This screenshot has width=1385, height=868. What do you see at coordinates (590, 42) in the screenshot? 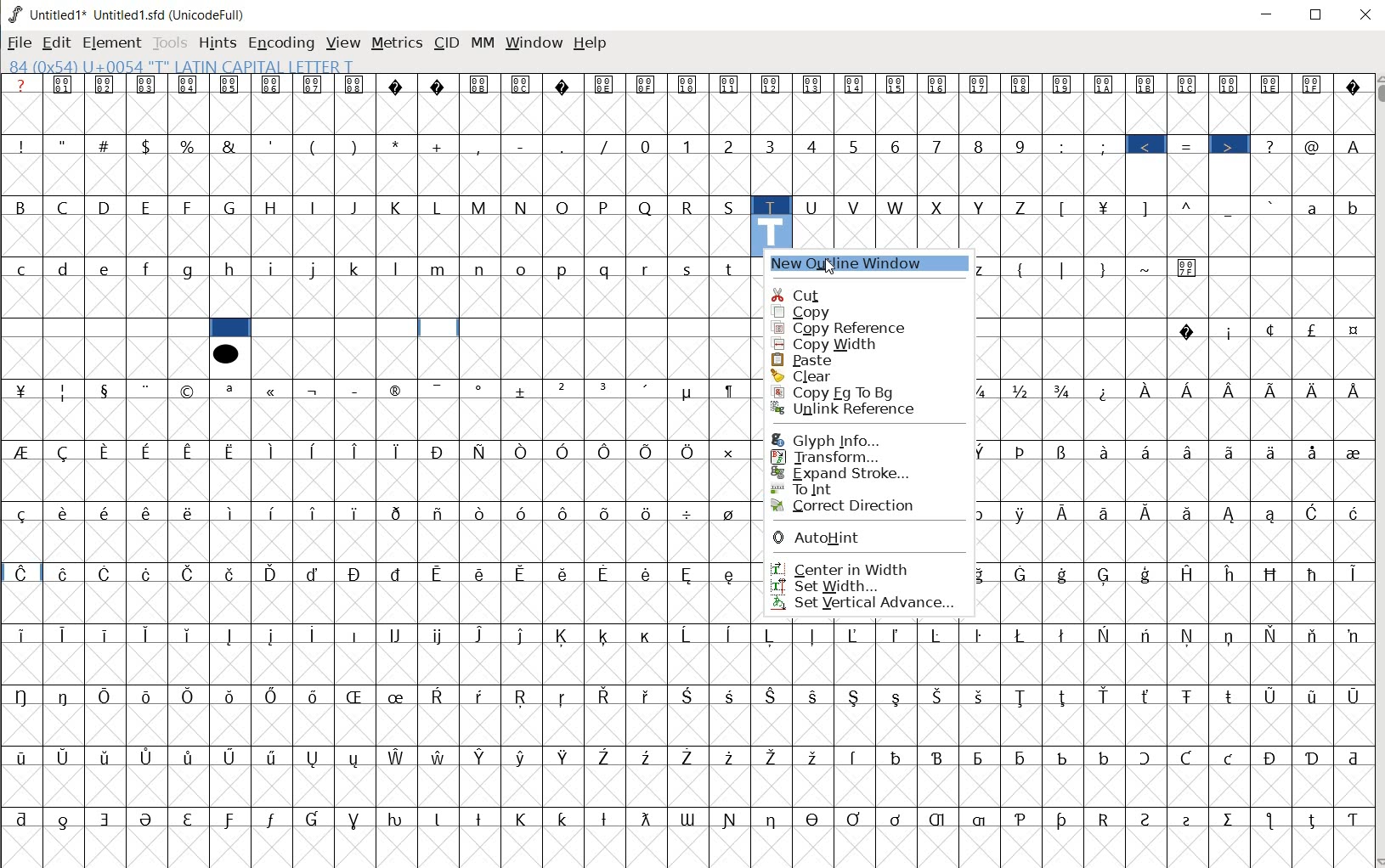
I see `help` at bounding box center [590, 42].